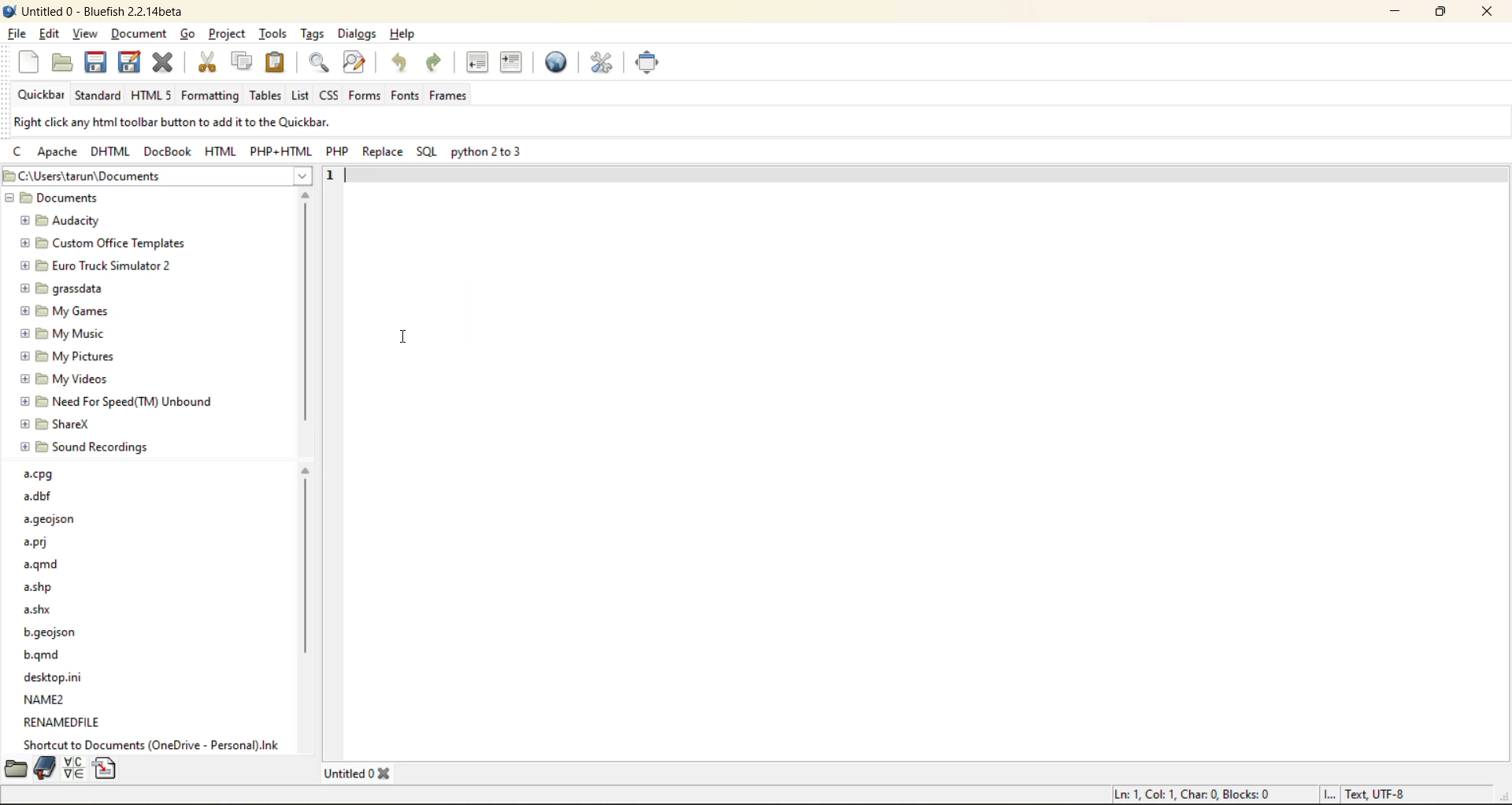  What do you see at coordinates (64, 721) in the screenshot?
I see `renamedfile` at bounding box center [64, 721].